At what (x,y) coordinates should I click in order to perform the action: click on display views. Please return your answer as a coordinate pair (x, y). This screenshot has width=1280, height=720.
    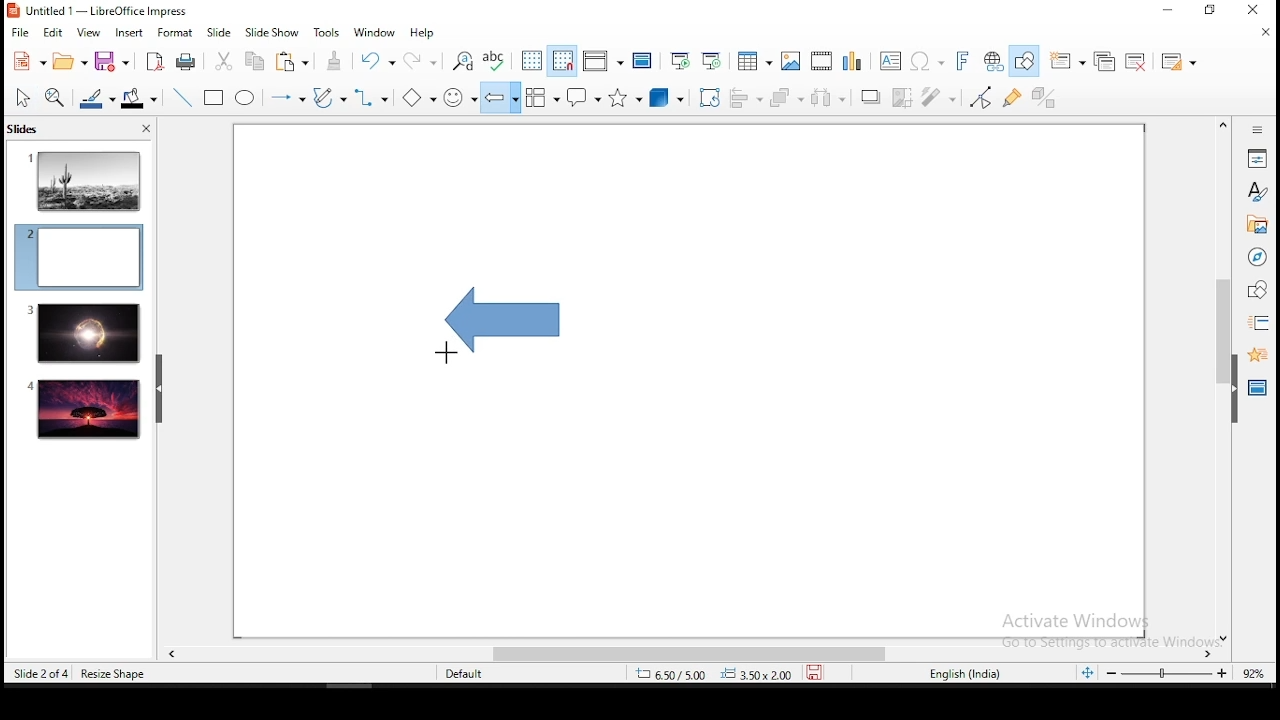
    Looking at the image, I should click on (602, 61).